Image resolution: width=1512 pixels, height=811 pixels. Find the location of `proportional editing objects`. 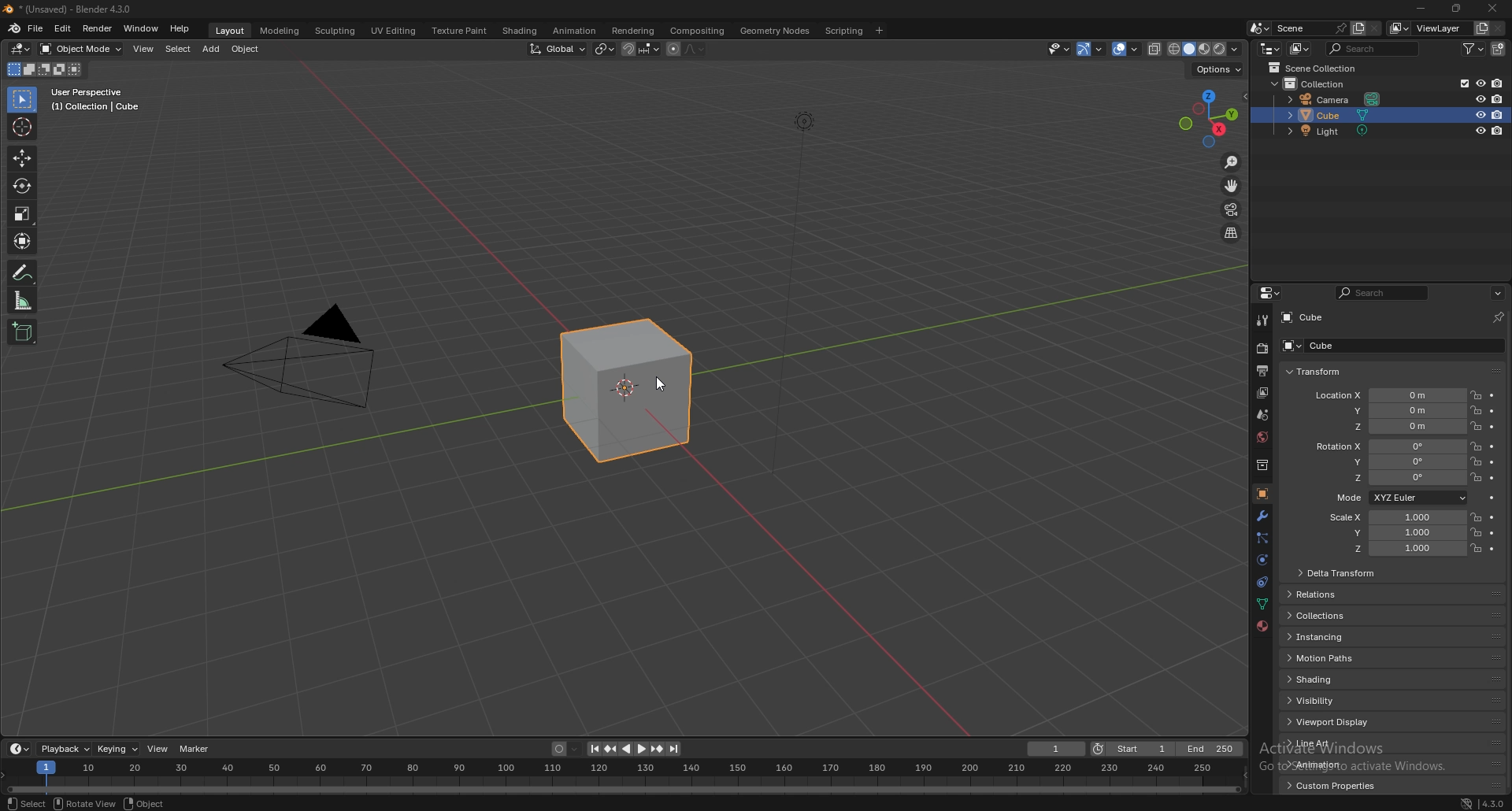

proportional editing objects is located at coordinates (686, 50).